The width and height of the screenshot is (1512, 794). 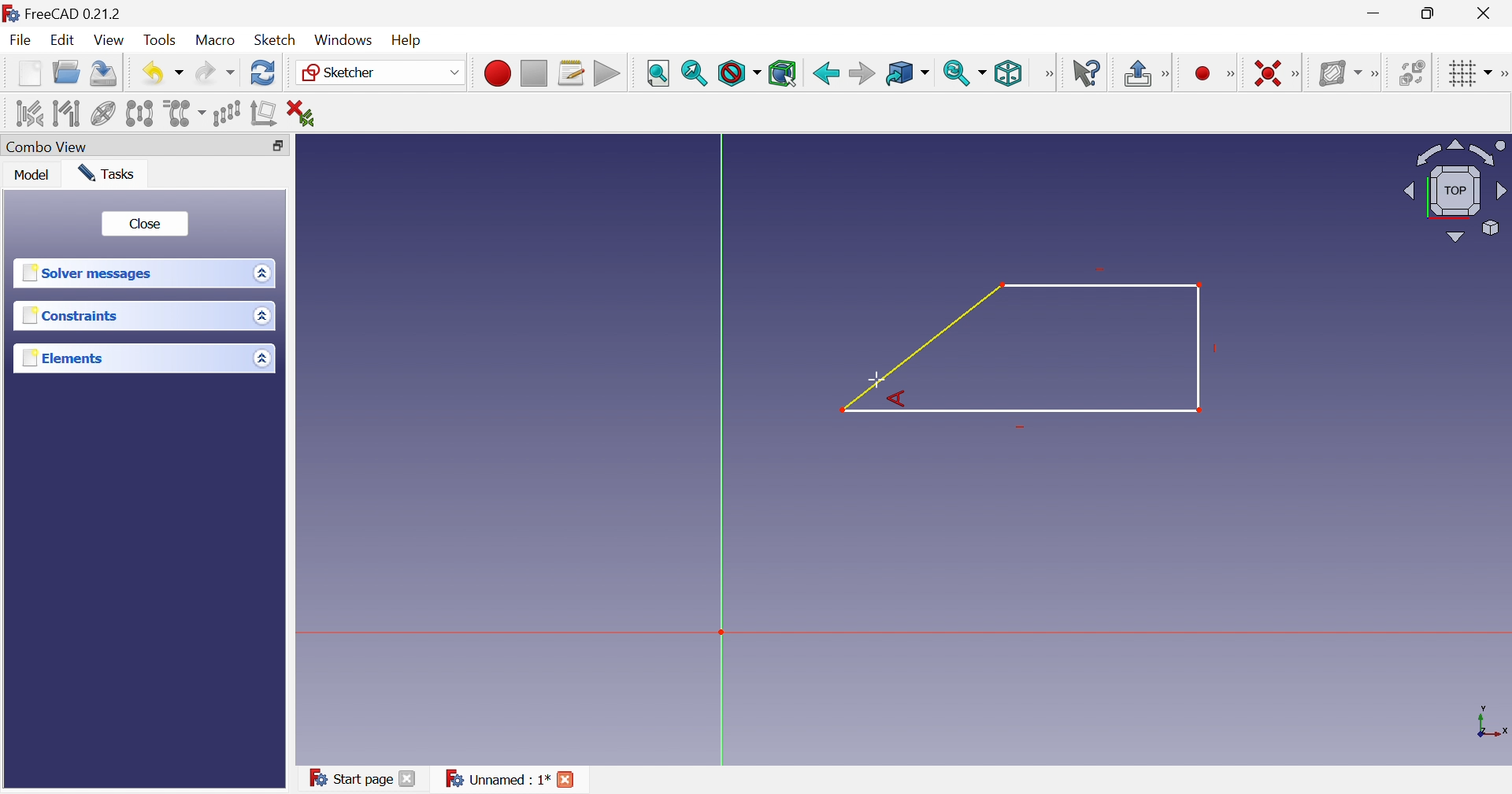 What do you see at coordinates (658, 72) in the screenshot?
I see `Fit all` at bounding box center [658, 72].